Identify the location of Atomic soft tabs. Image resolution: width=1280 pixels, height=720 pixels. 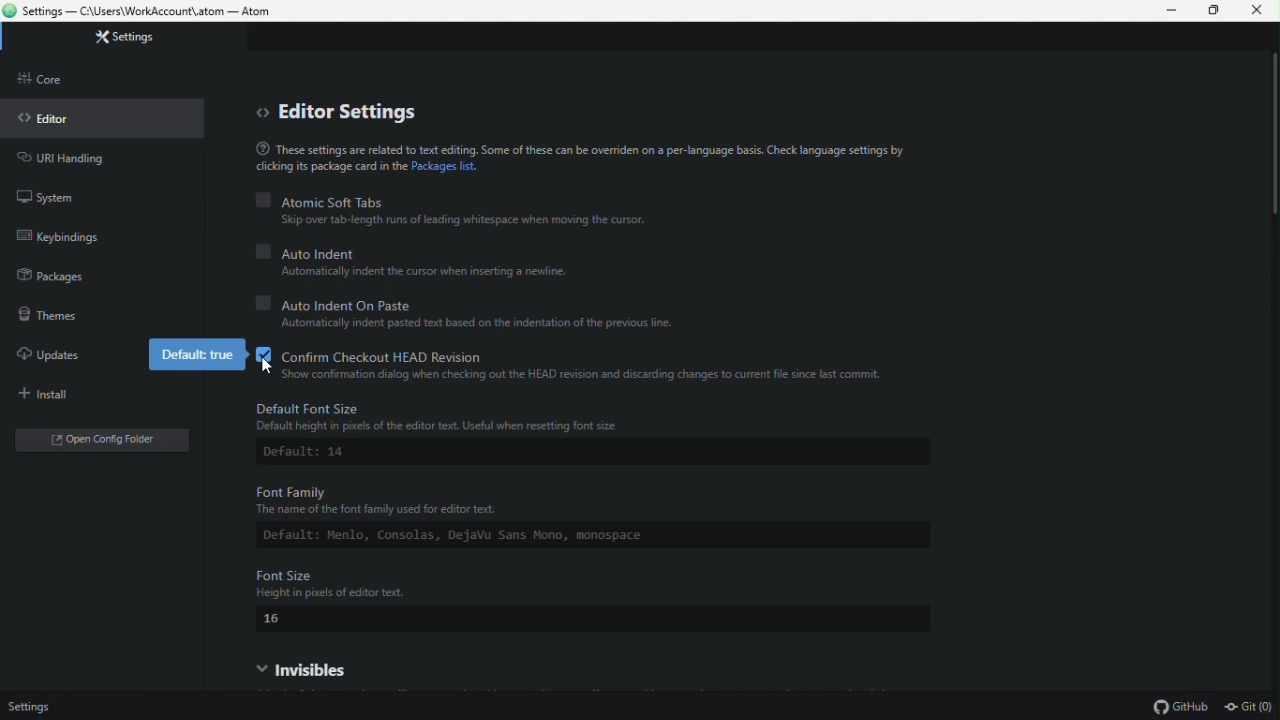
(471, 201).